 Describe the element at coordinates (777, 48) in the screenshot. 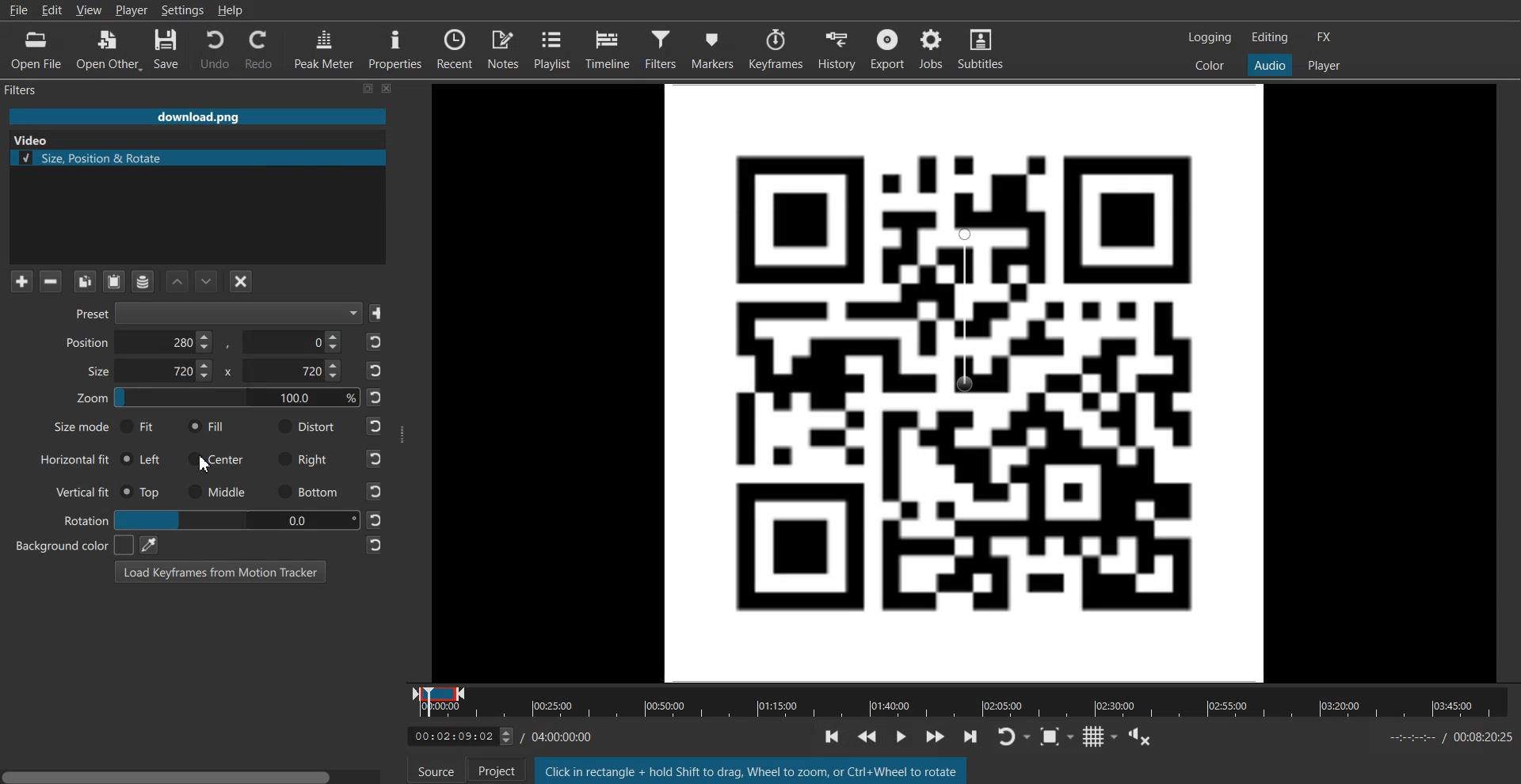

I see `Keyframes` at that location.